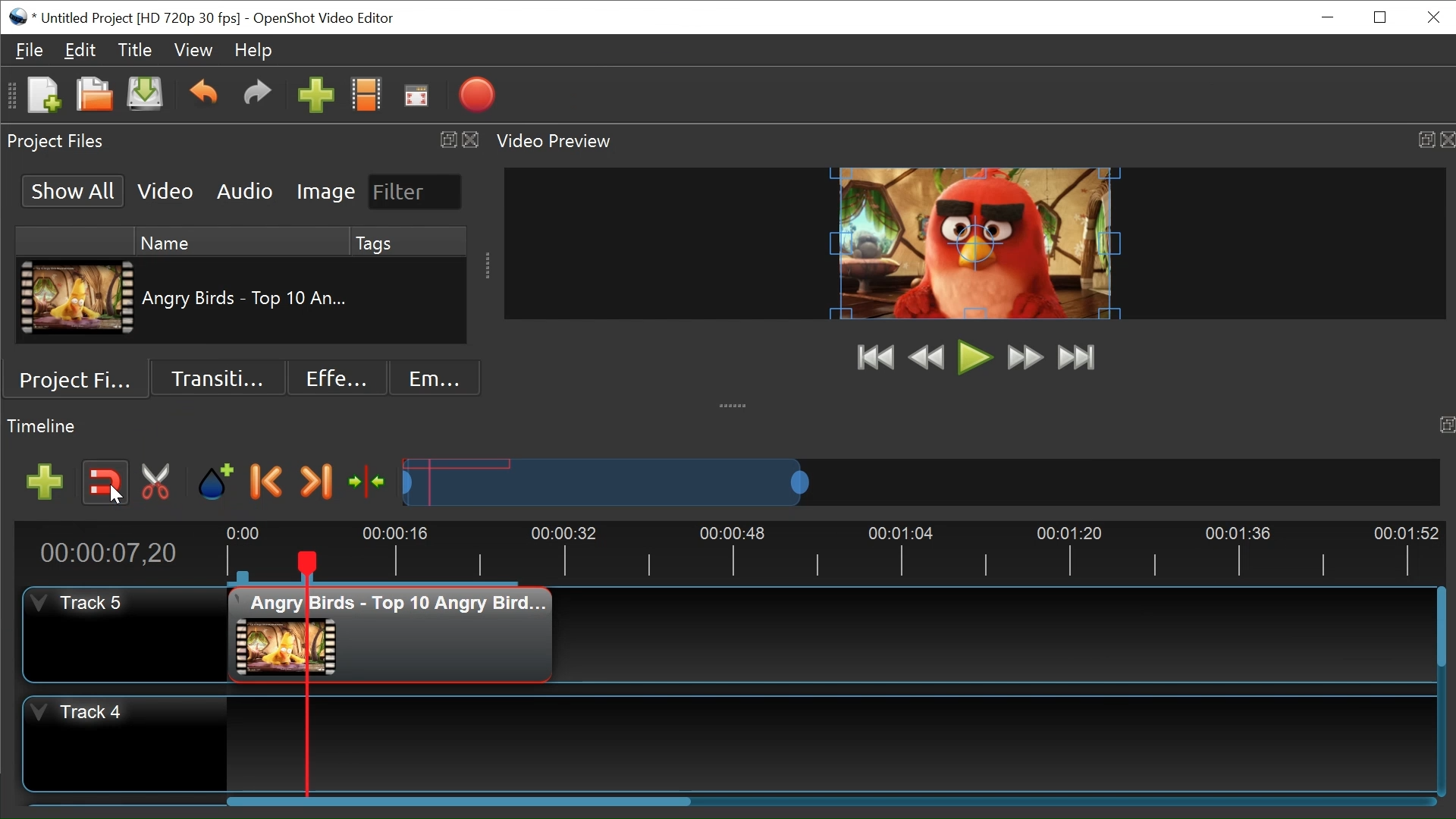 This screenshot has width=1456, height=819. What do you see at coordinates (973, 243) in the screenshot?
I see `Preview Window` at bounding box center [973, 243].